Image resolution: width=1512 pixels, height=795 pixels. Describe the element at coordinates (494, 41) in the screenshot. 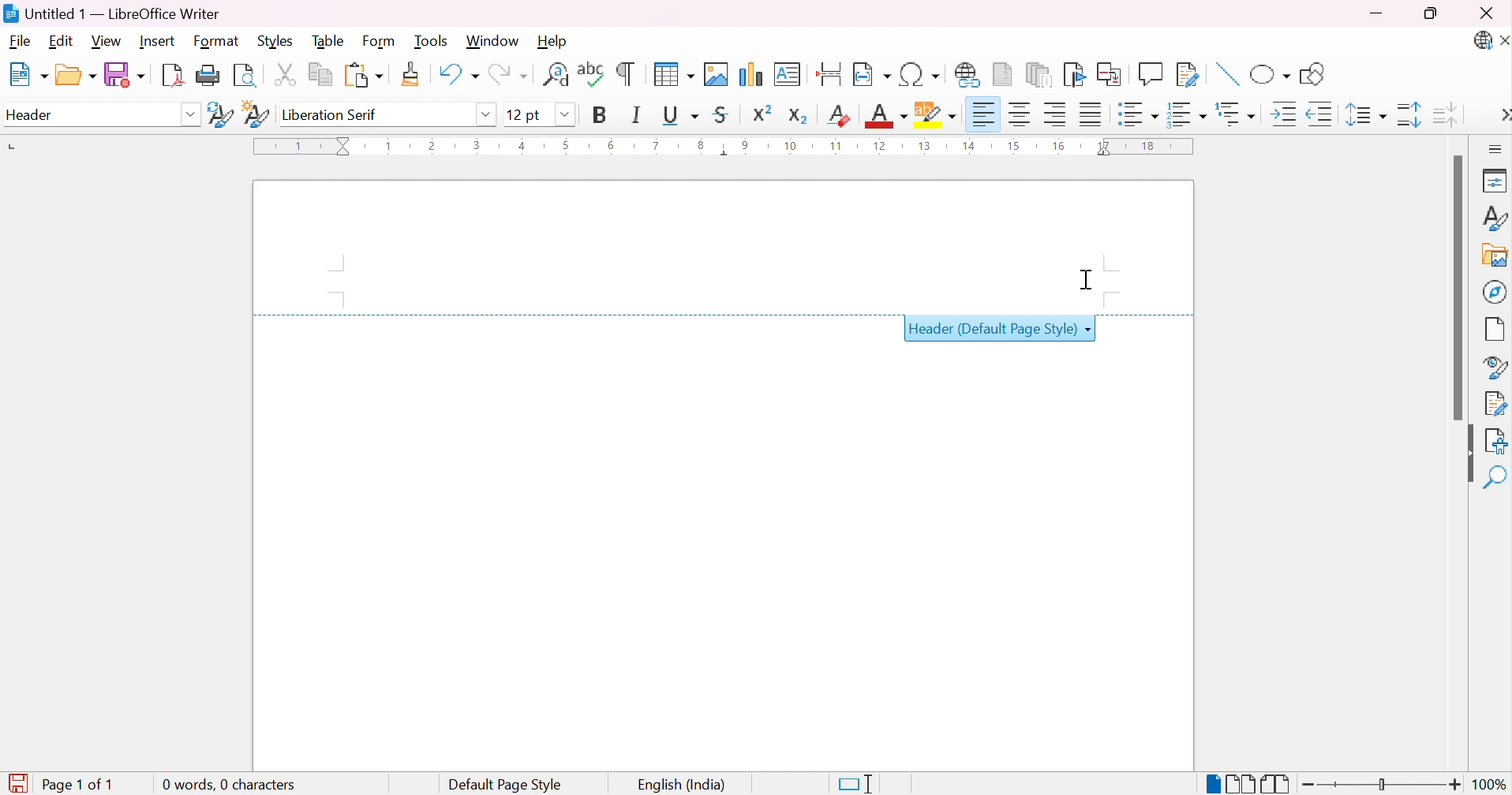

I see `Window` at that location.